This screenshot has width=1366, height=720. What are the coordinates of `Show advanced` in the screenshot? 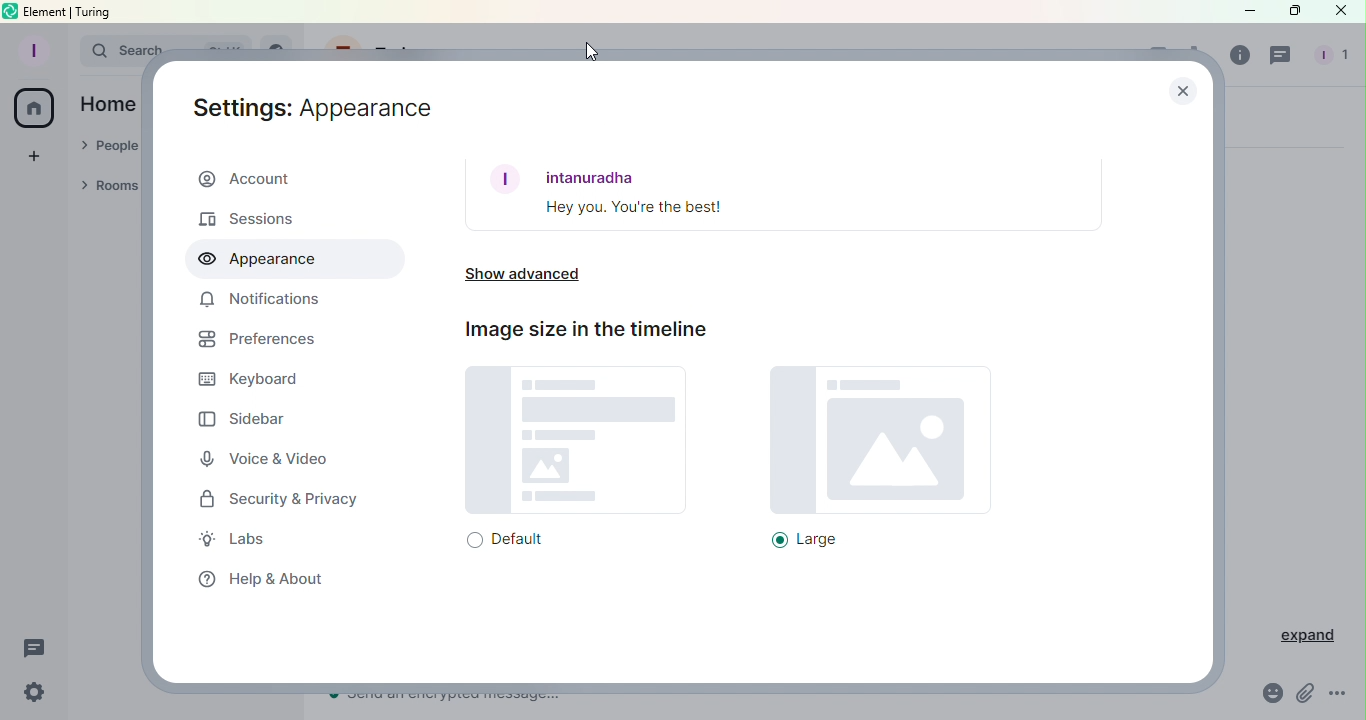 It's located at (531, 278).